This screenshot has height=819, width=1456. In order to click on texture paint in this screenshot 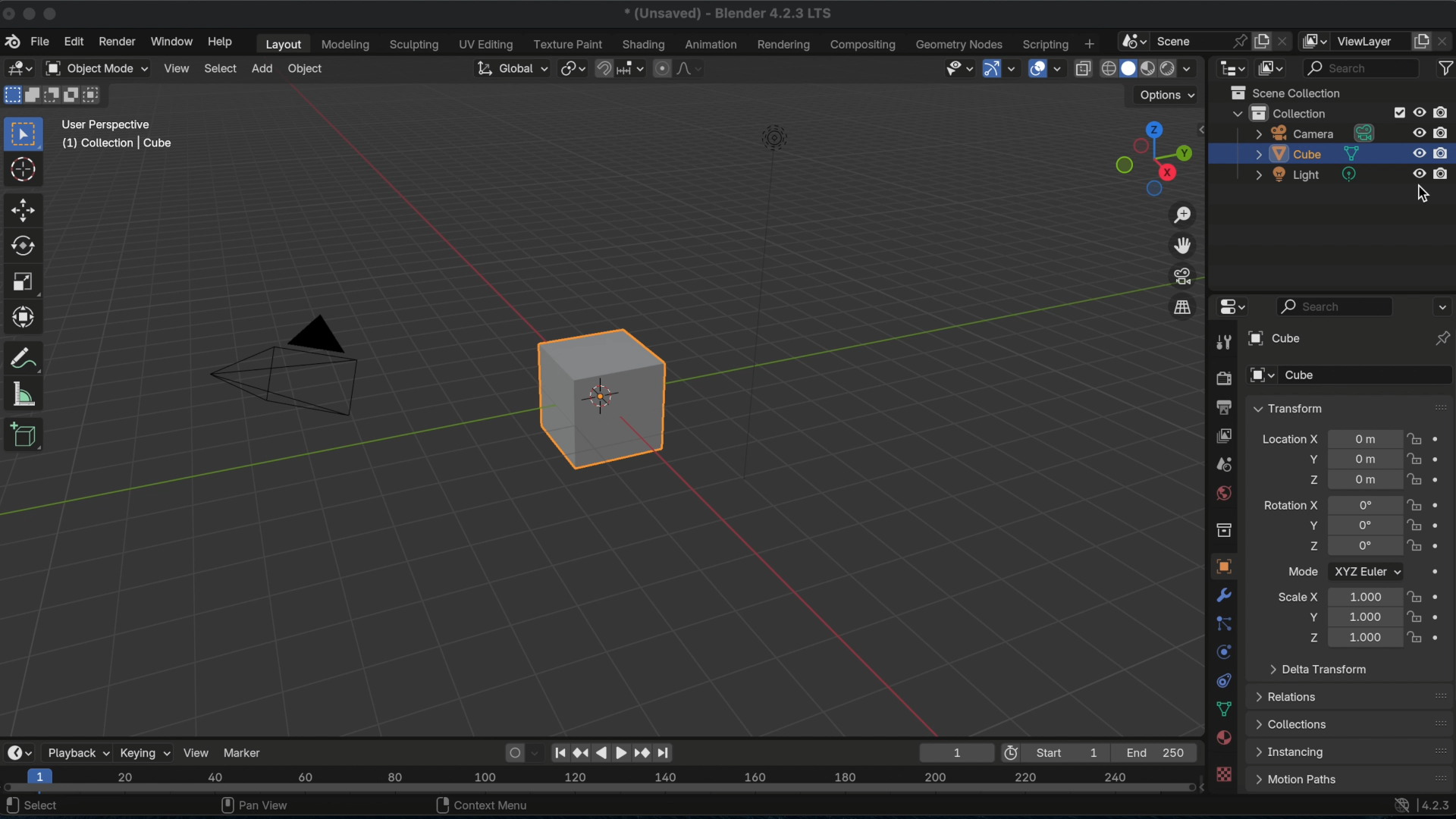, I will do `click(567, 44)`.